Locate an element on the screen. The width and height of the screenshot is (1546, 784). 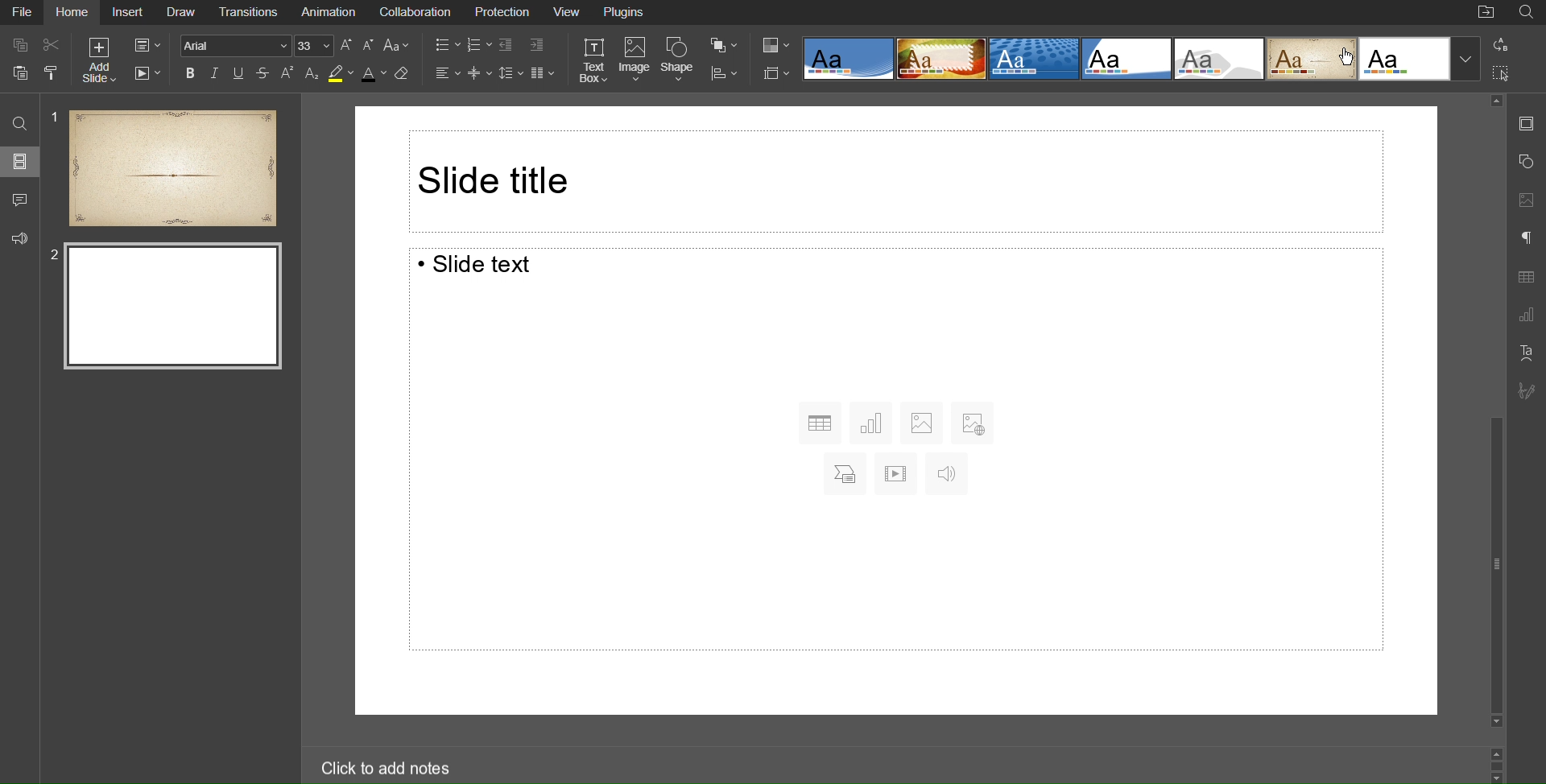
Bullet List is located at coordinates (448, 47).